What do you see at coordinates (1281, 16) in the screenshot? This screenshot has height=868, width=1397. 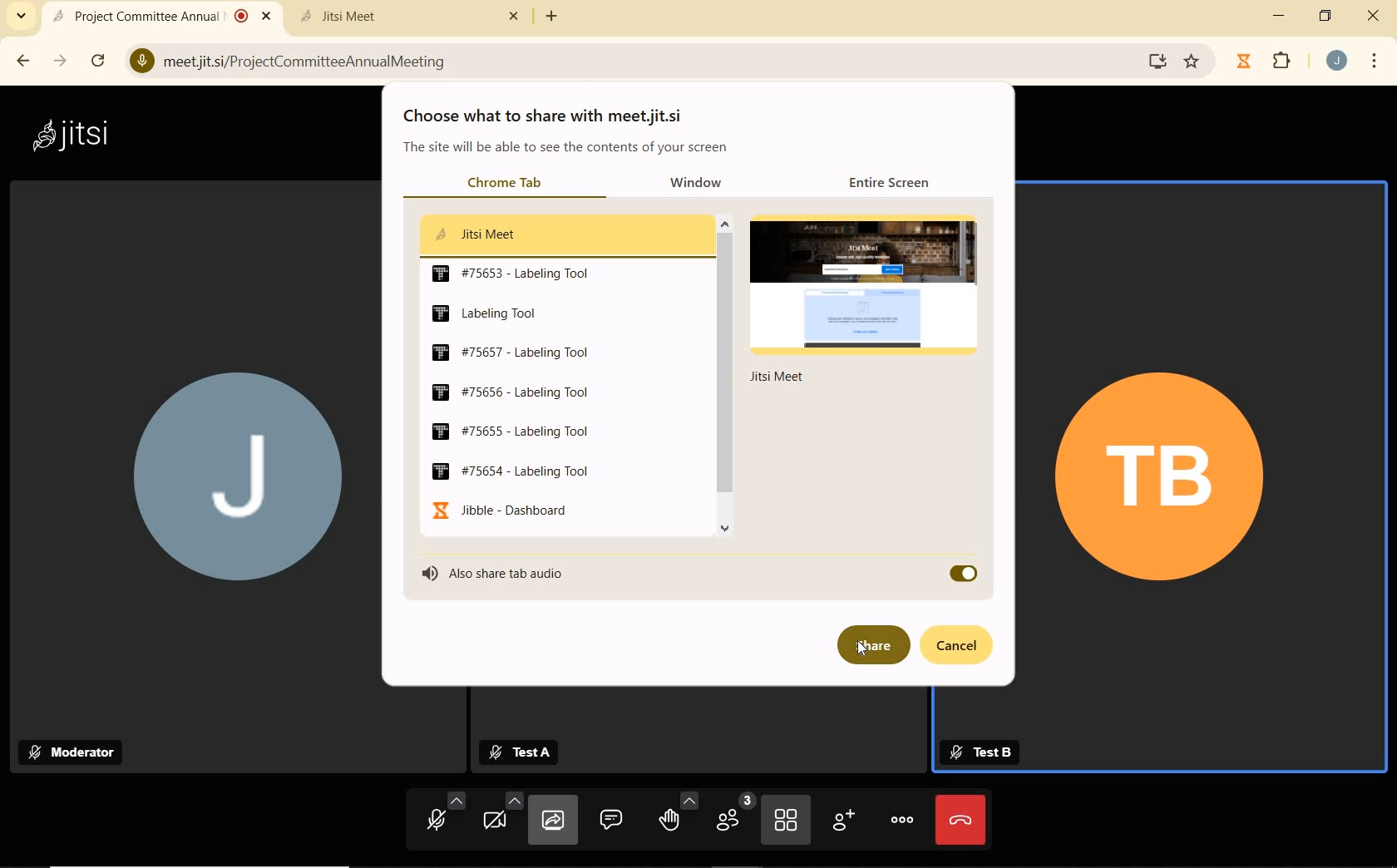 I see `MINIMIZE` at bounding box center [1281, 16].